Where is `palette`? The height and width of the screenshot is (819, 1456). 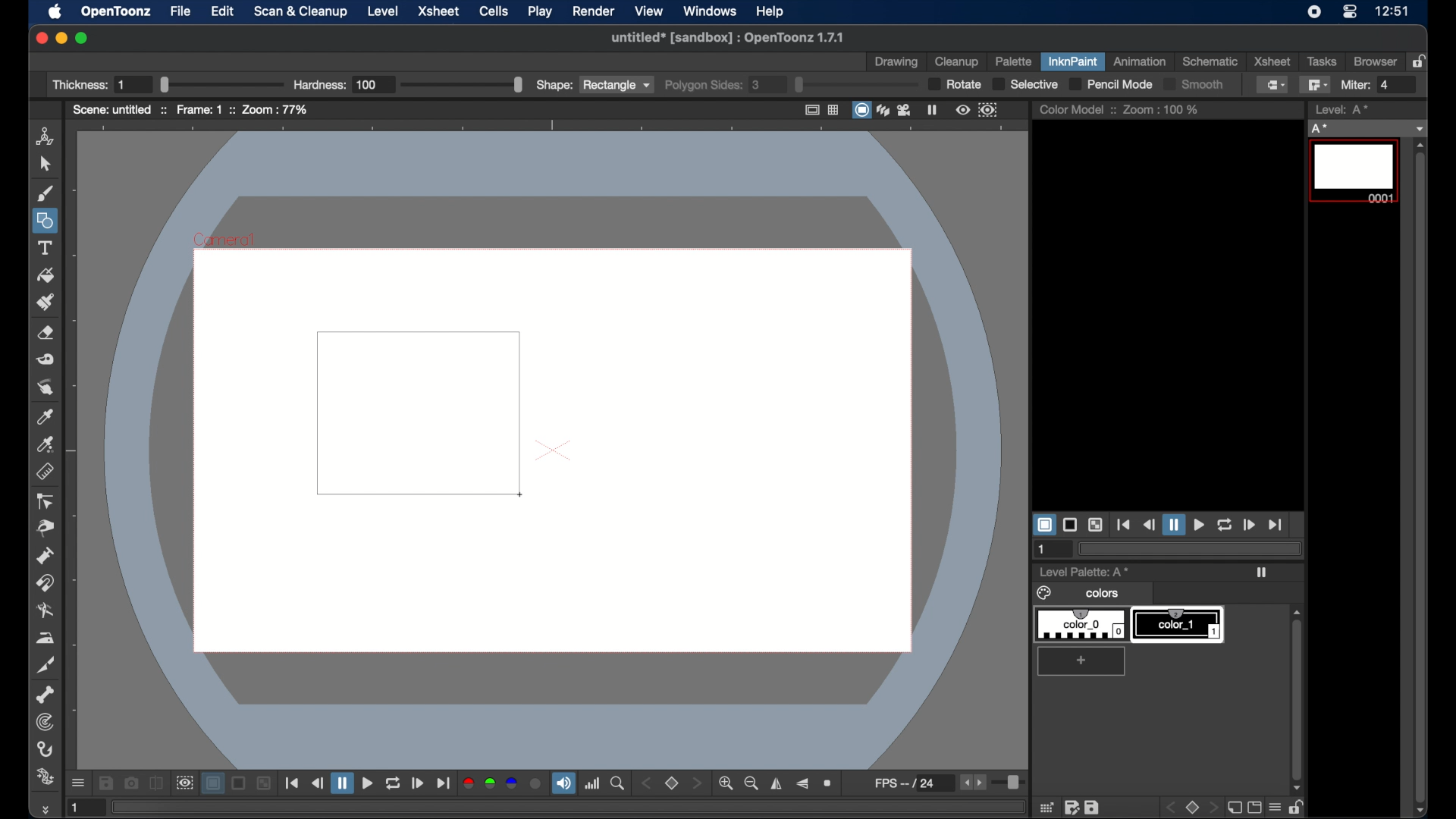
palette is located at coordinates (1013, 63).